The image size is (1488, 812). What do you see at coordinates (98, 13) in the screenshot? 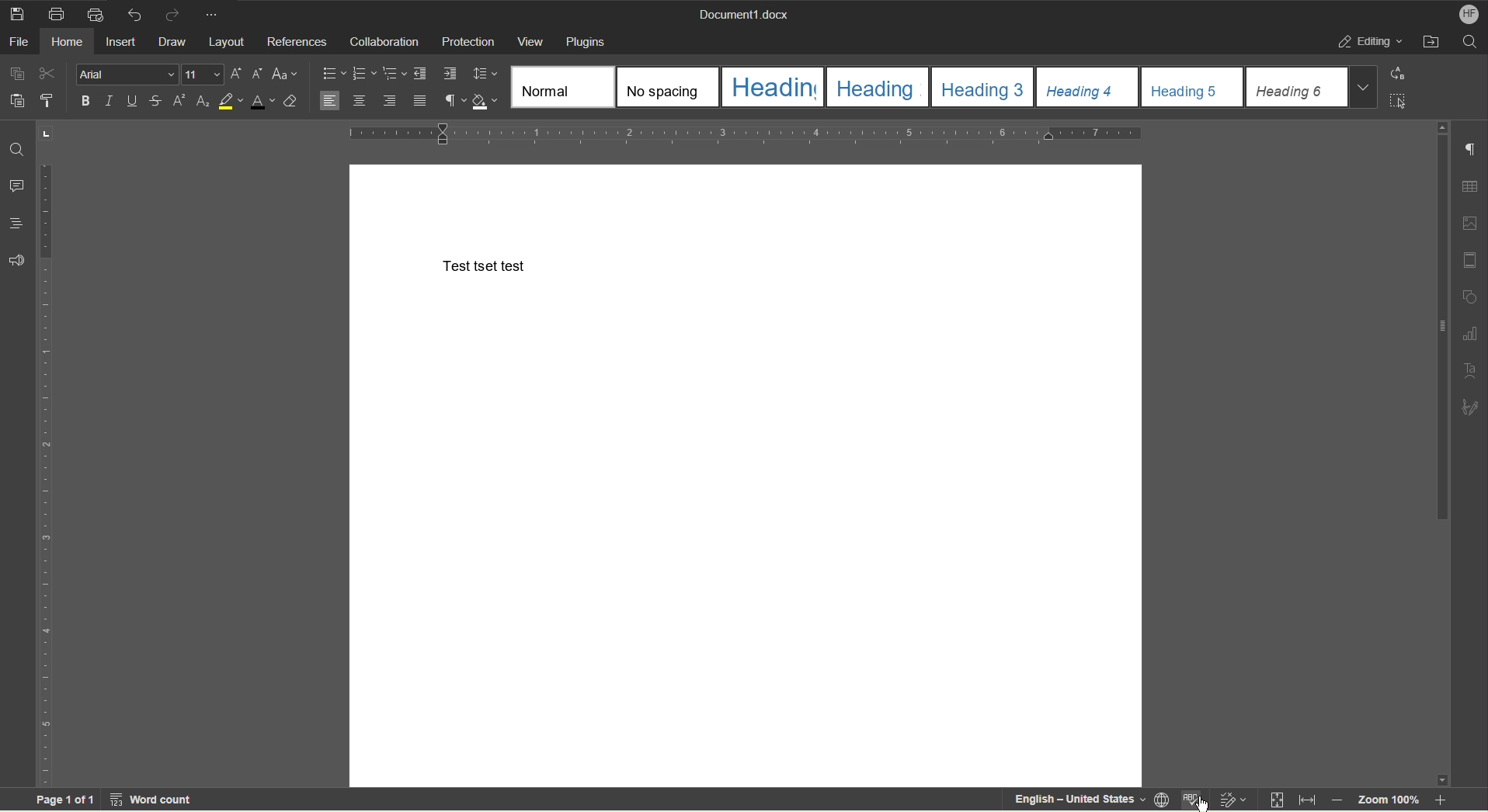
I see `Quick Print` at bounding box center [98, 13].